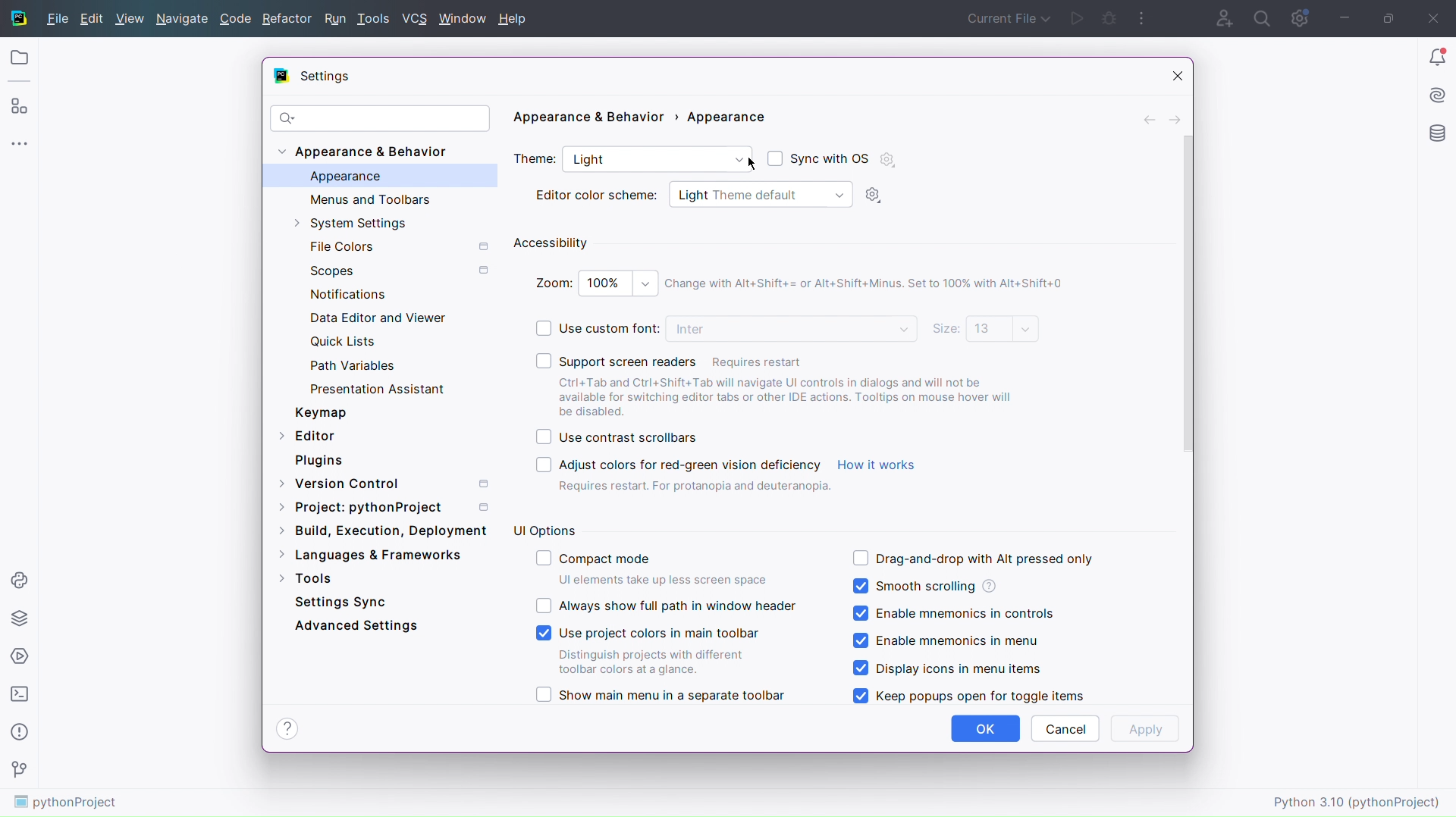 The width and height of the screenshot is (1456, 817). What do you see at coordinates (516, 19) in the screenshot?
I see `Help` at bounding box center [516, 19].